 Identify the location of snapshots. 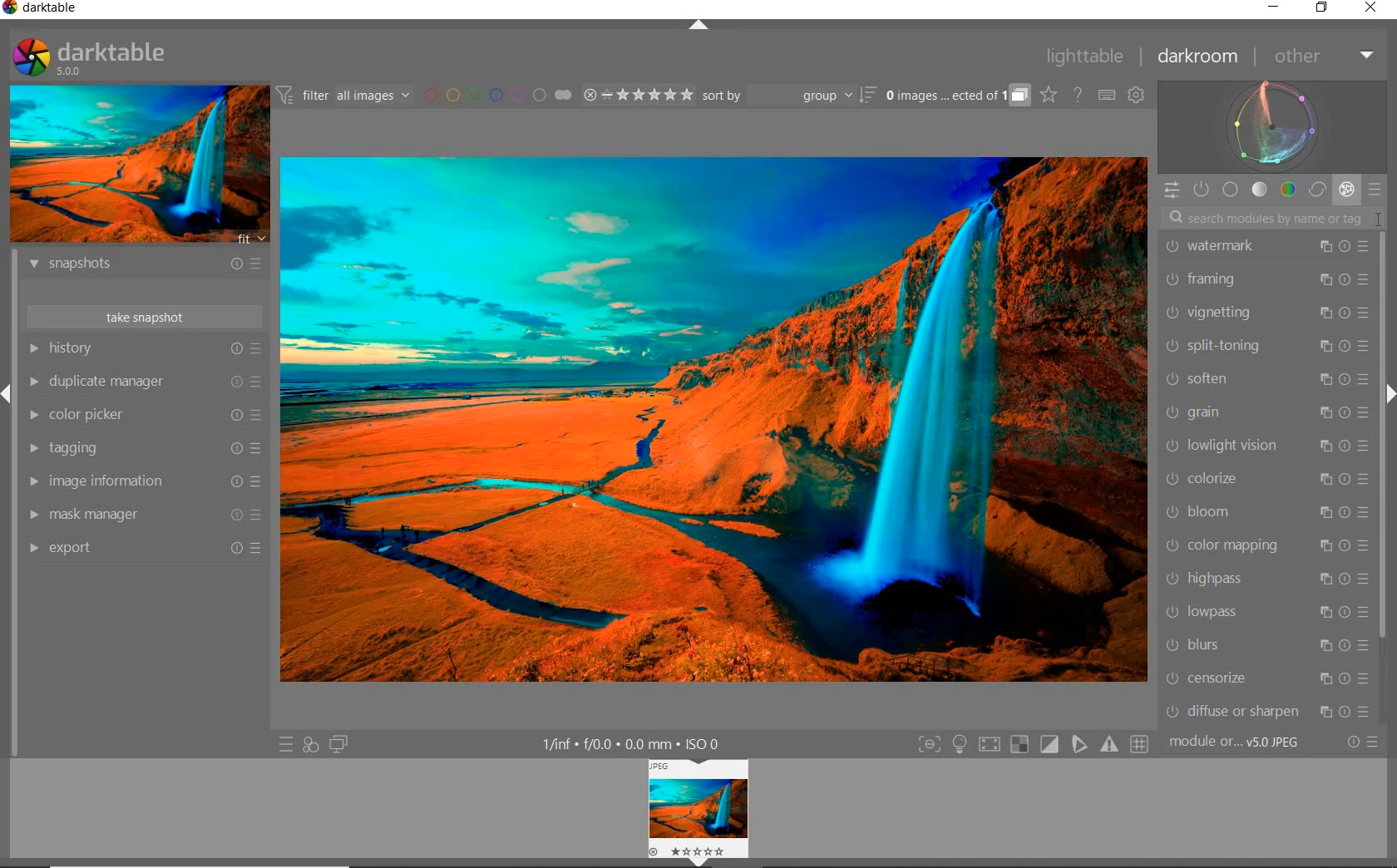
(149, 266).